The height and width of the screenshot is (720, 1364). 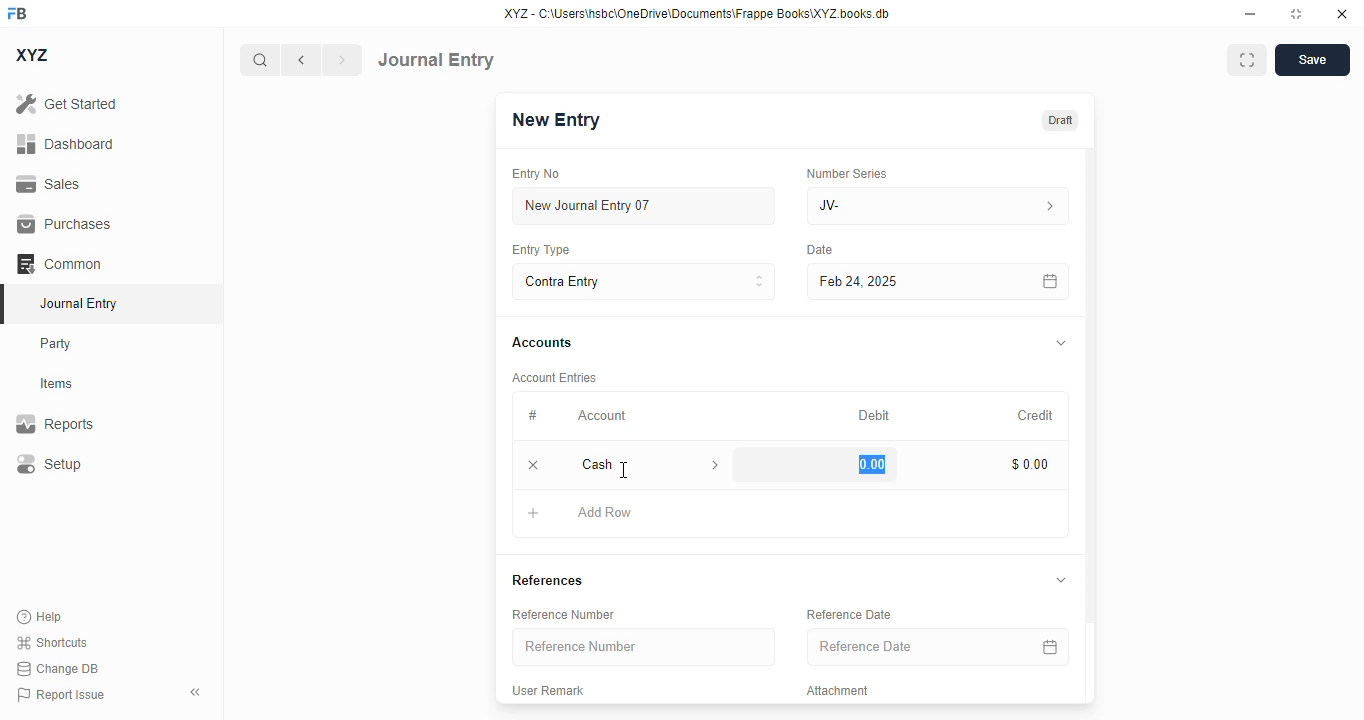 I want to click on search, so click(x=259, y=60).